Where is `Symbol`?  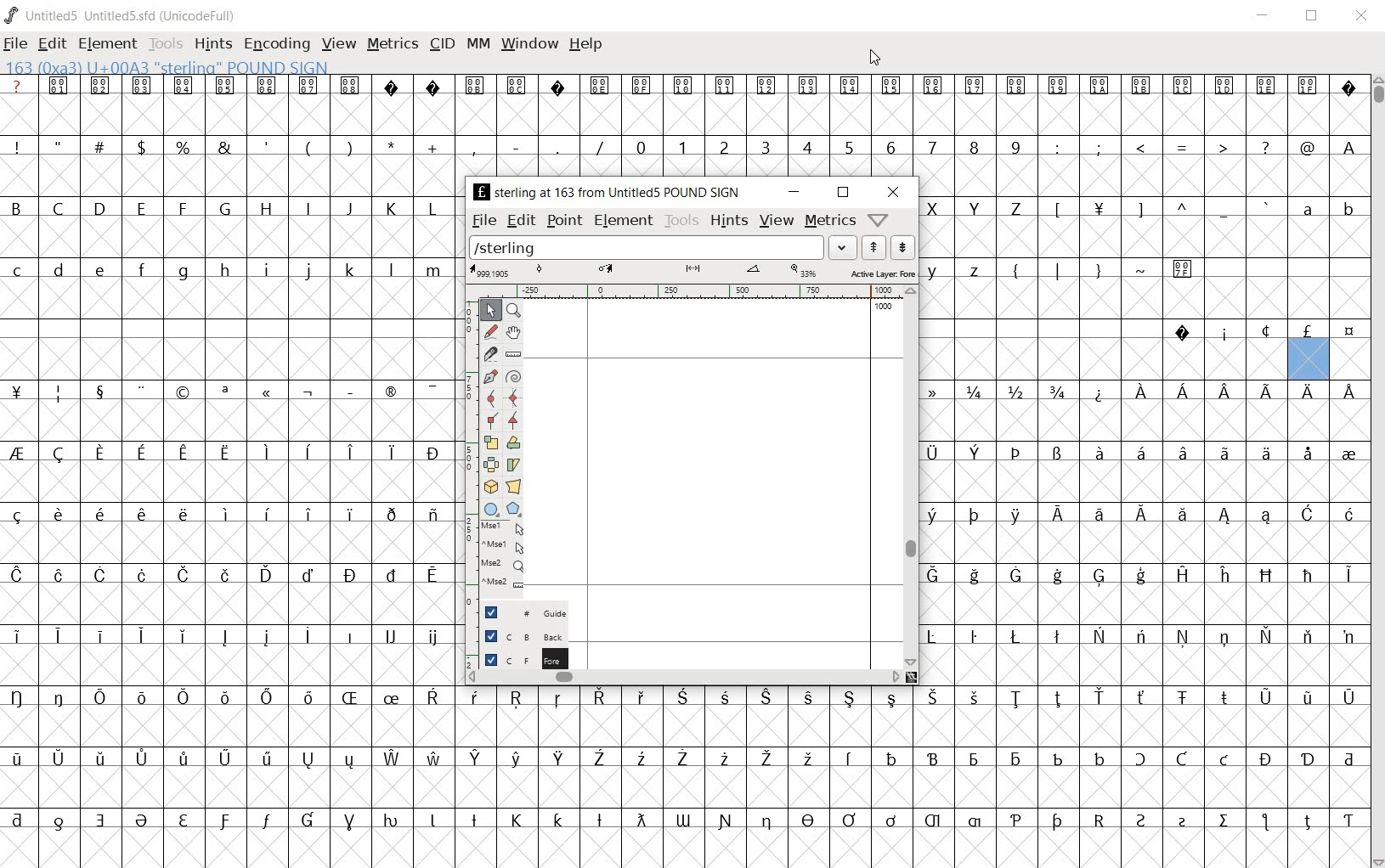
Symbol is located at coordinates (308, 392).